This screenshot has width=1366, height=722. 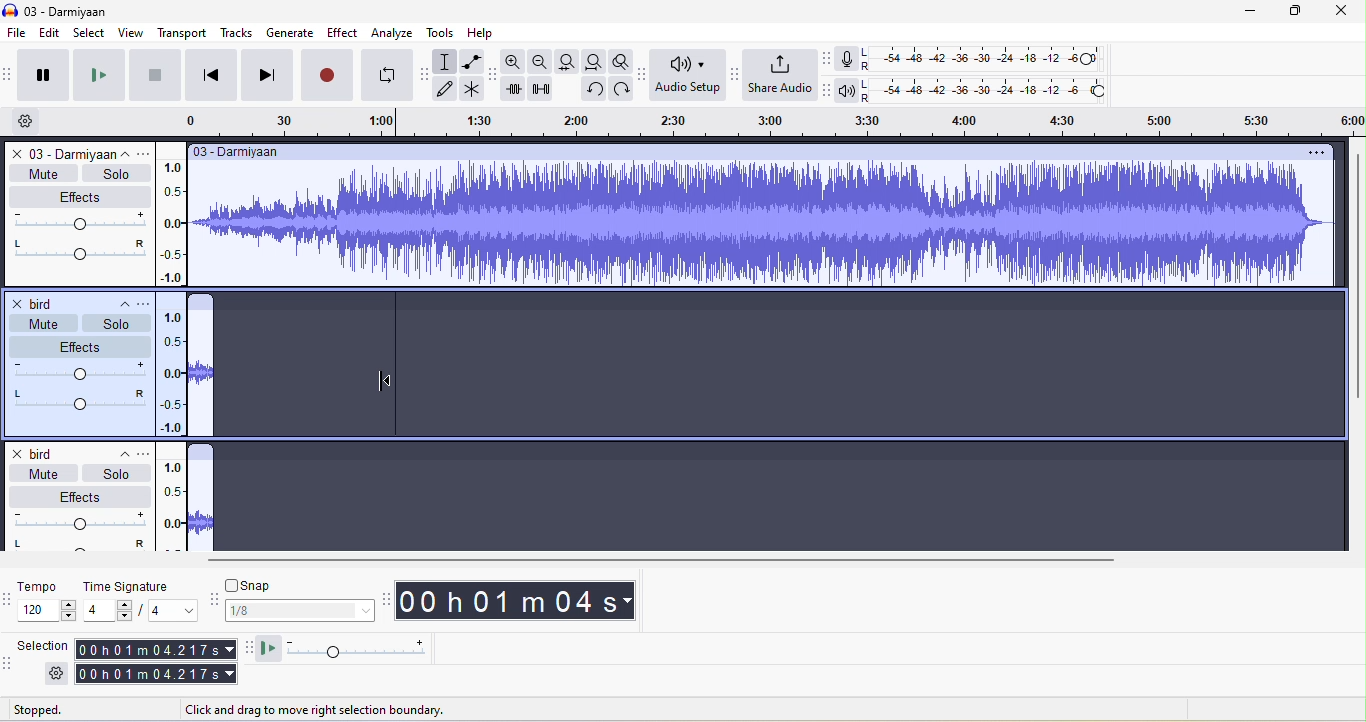 What do you see at coordinates (448, 91) in the screenshot?
I see `draw tool` at bounding box center [448, 91].